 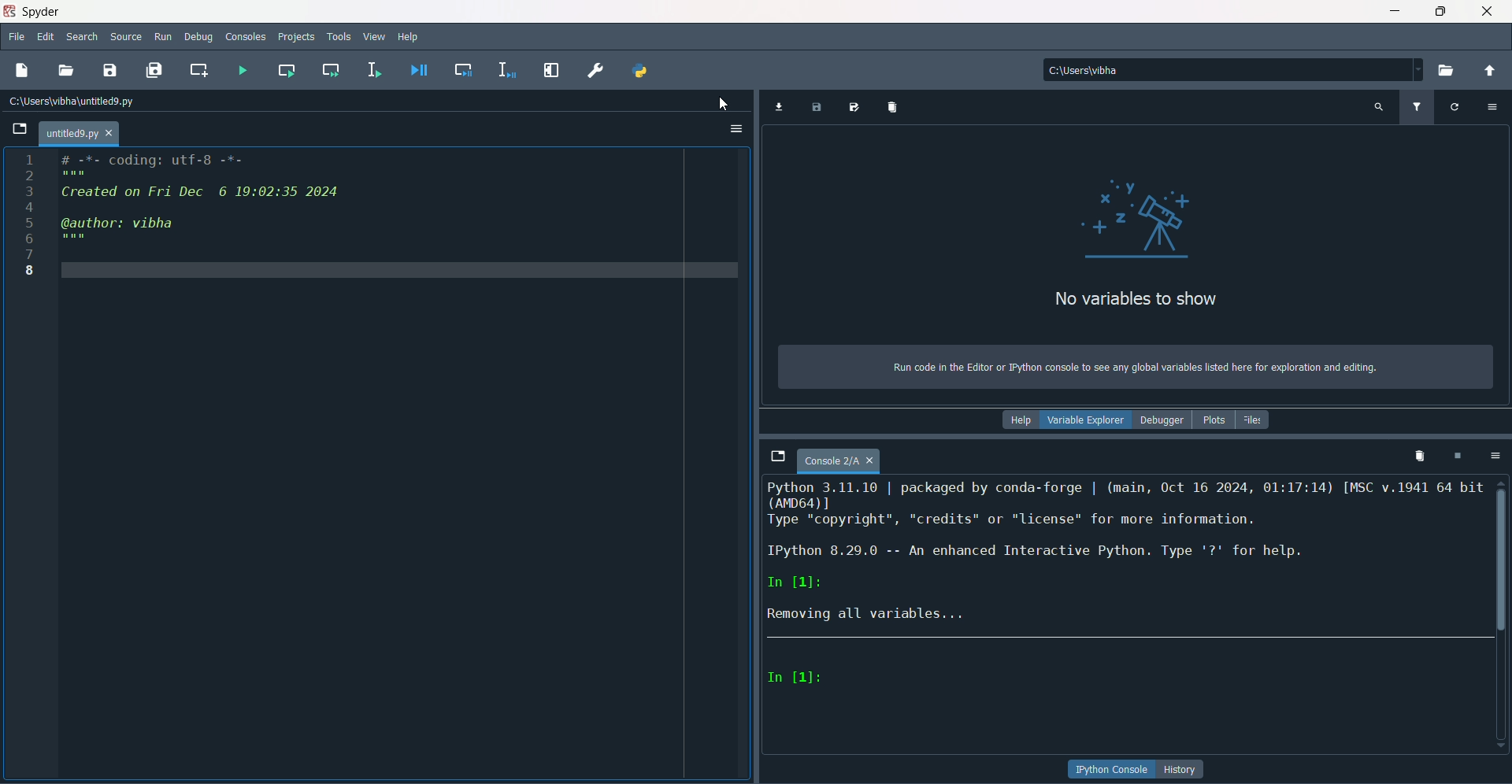 What do you see at coordinates (127, 37) in the screenshot?
I see `source` at bounding box center [127, 37].